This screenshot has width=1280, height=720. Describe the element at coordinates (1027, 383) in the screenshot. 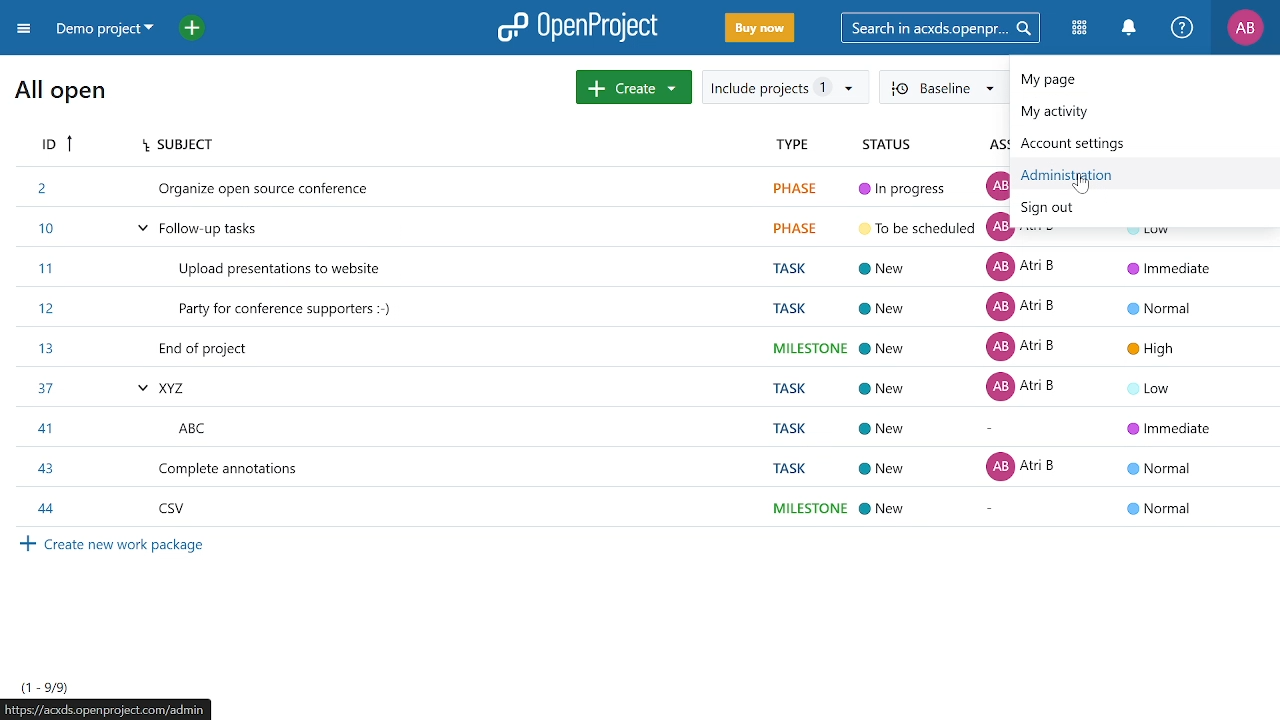

I see `task assignee` at that location.